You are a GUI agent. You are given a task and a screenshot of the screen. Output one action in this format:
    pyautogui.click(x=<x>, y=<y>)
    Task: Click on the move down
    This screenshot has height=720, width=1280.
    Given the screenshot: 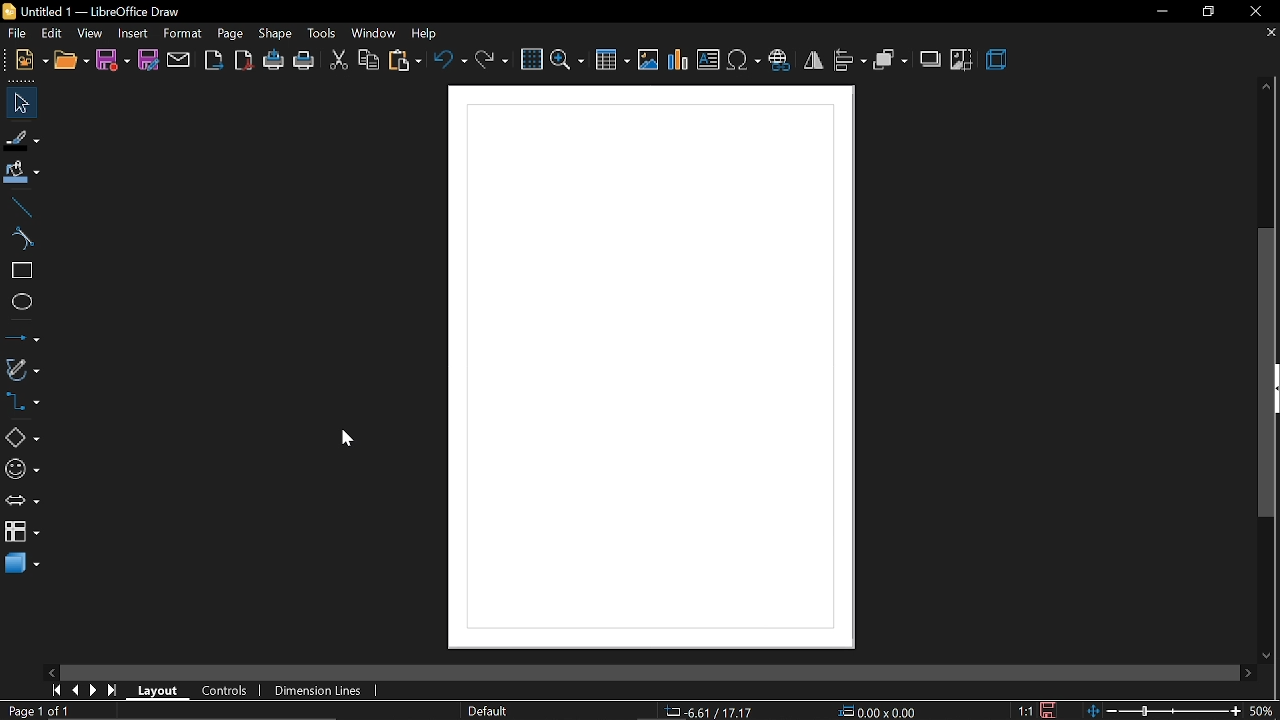 What is the action you would take?
    pyautogui.click(x=1266, y=655)
    